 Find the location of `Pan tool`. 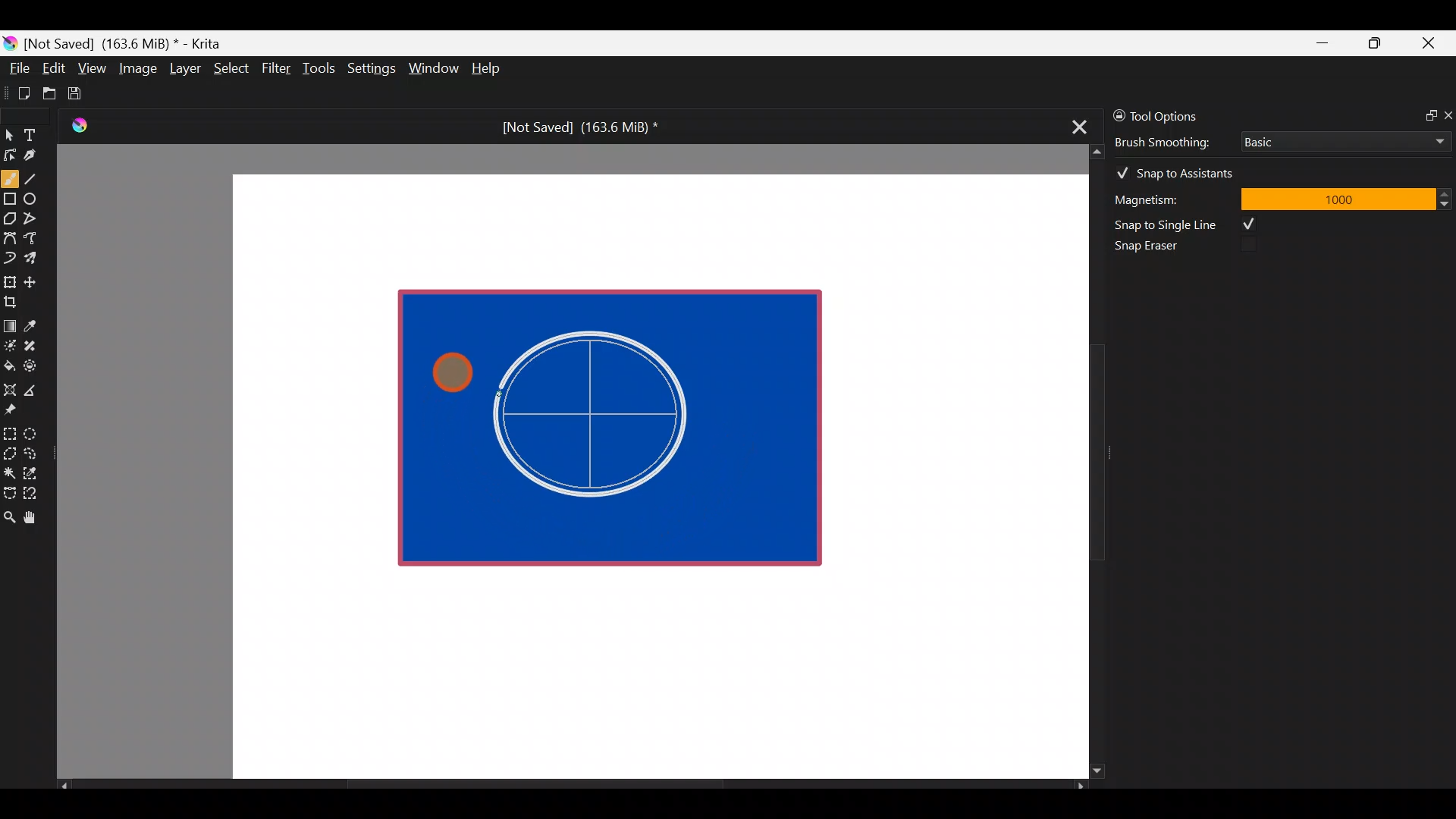

Pan tool is located at coordinates (36, 518).